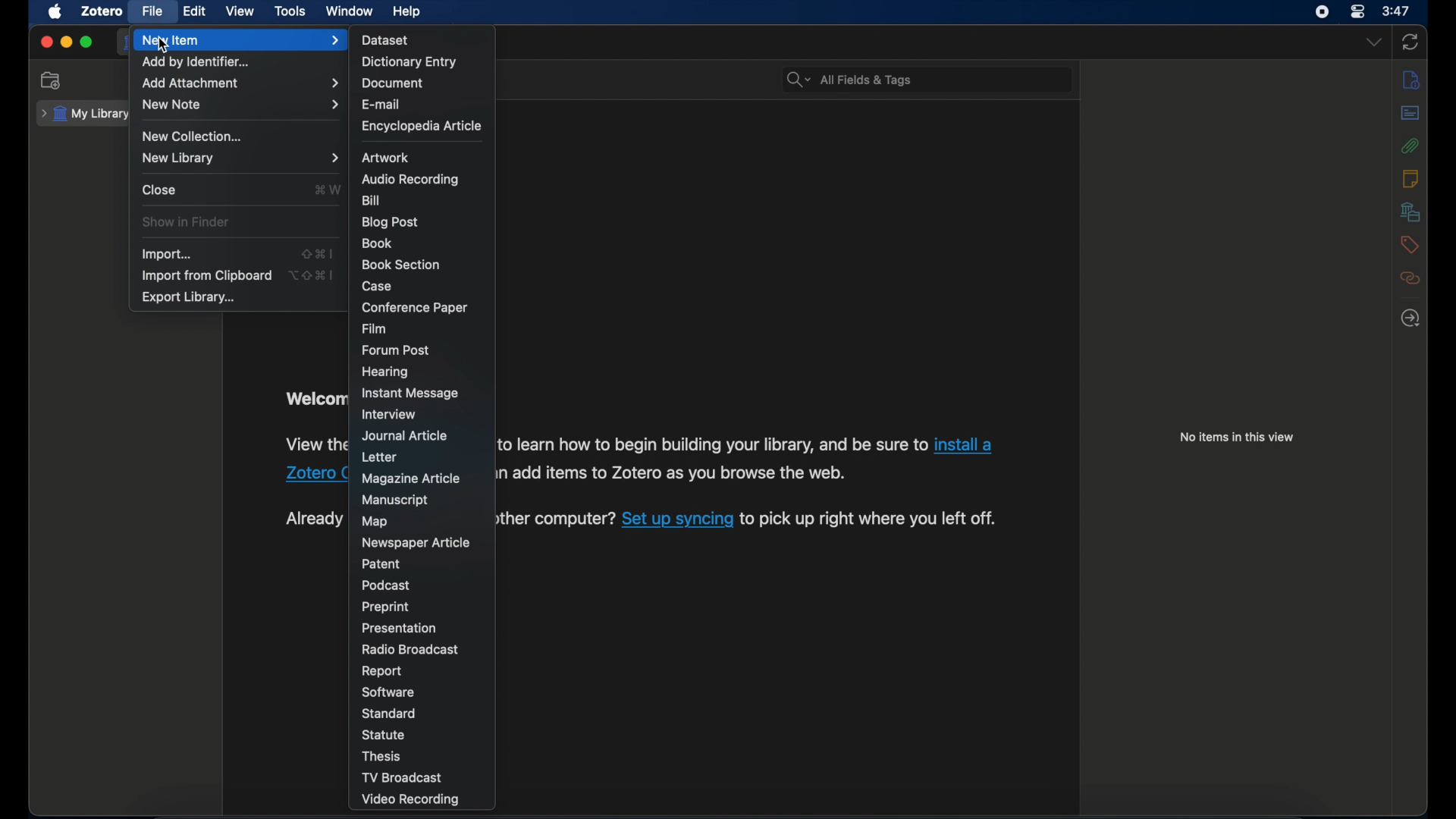 The height and width of the screenshot is (819, 1456). What do you see at coordinates (318, 253) in the screenshot?
I see `shortcut` at bounding box center [318, 253].